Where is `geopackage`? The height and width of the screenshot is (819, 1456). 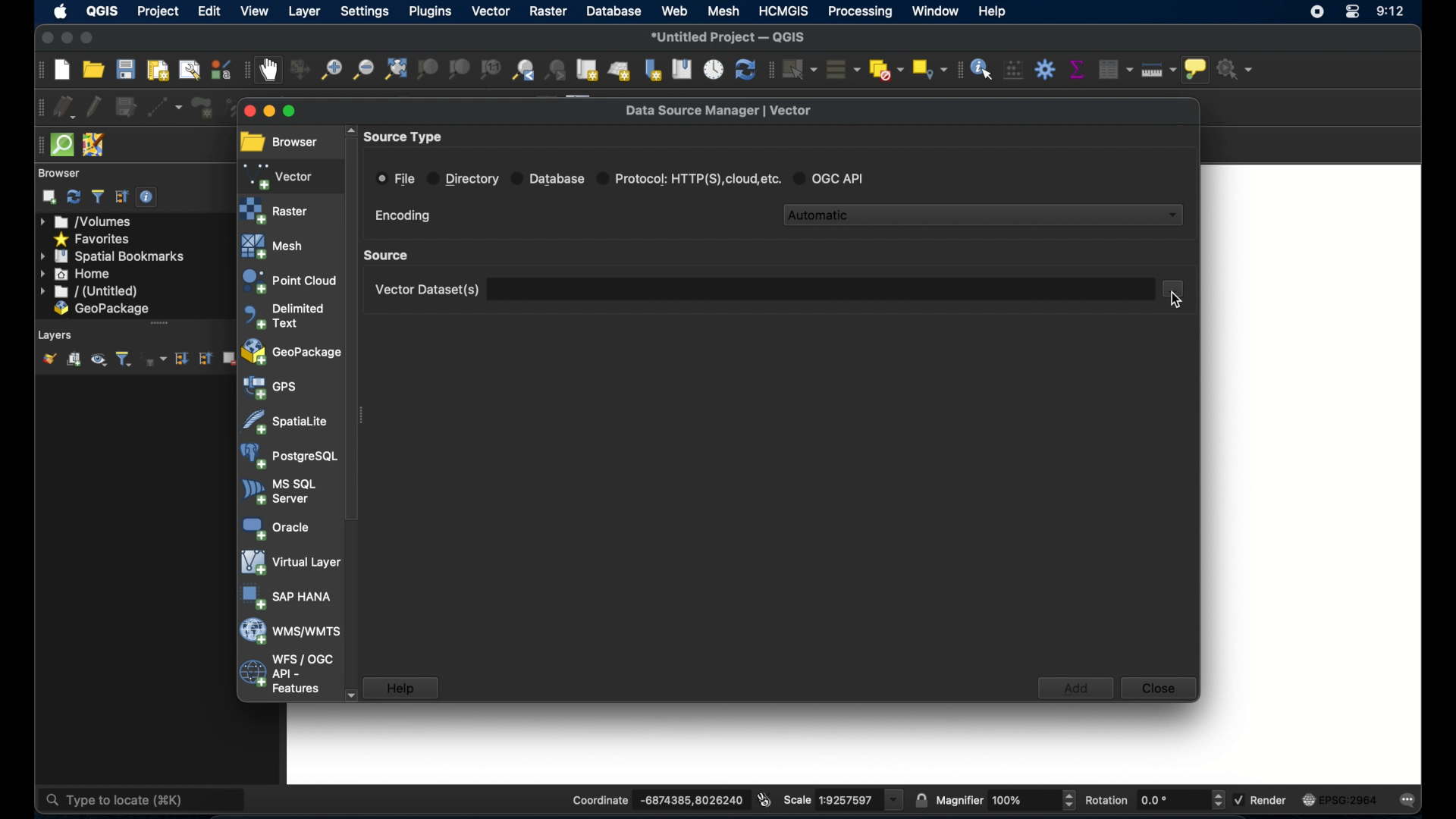 geopackage is located at coordinates (292, 353).